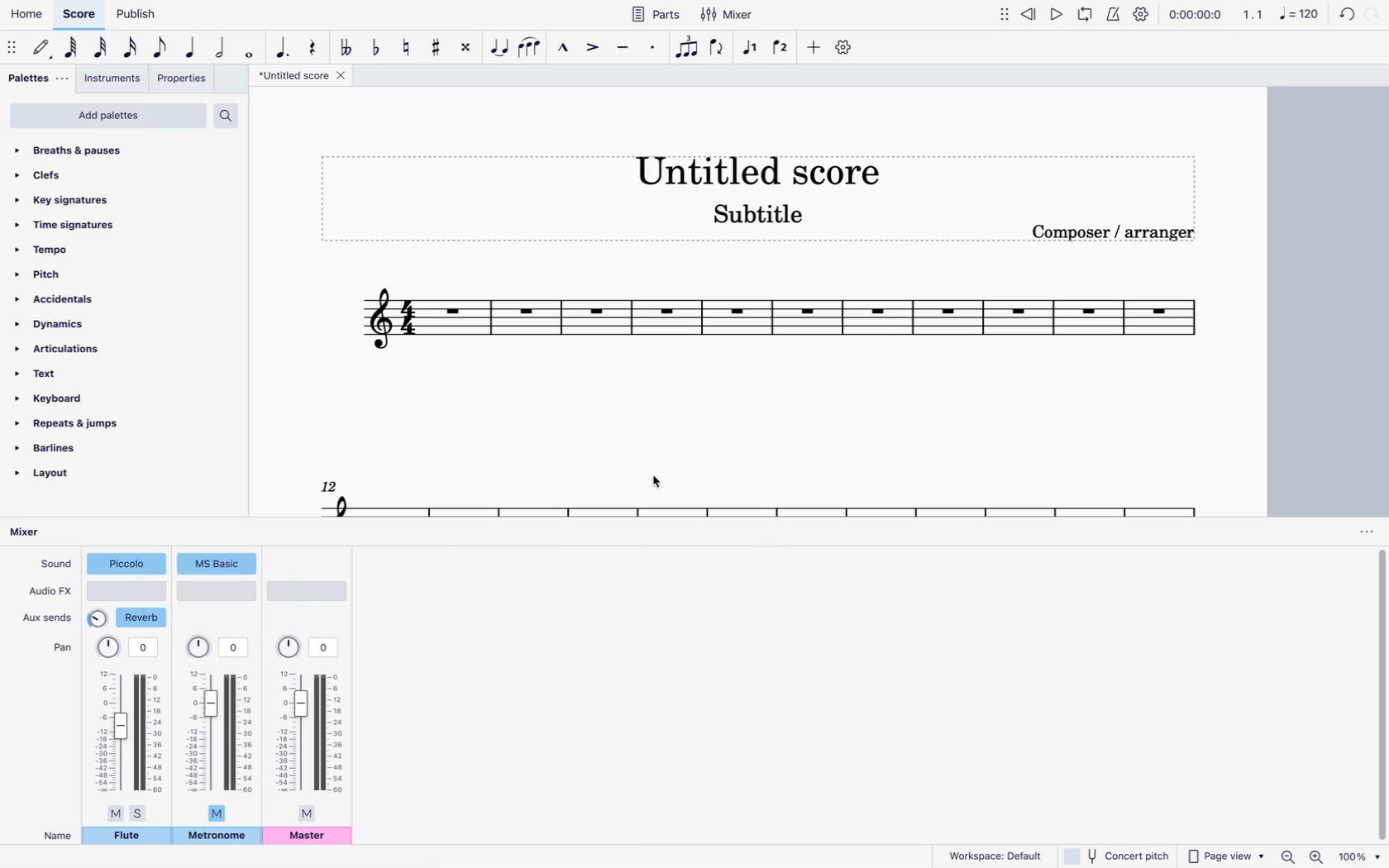  What do you see at coordinates (561, 46) in the screenshot?
I see `marcato` at bounding box center [561, 46].